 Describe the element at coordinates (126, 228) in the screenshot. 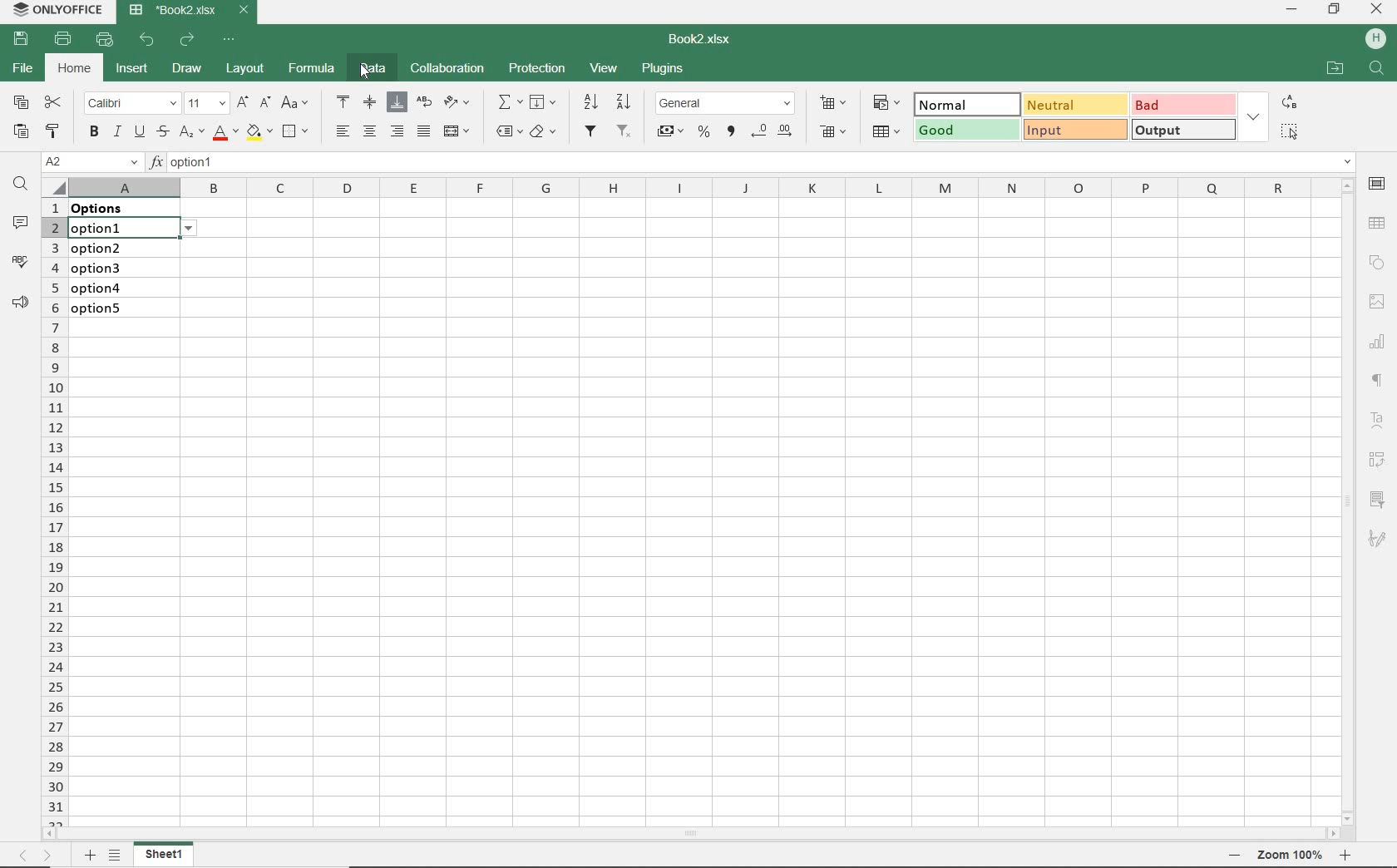

I see `selected cell` at that location.